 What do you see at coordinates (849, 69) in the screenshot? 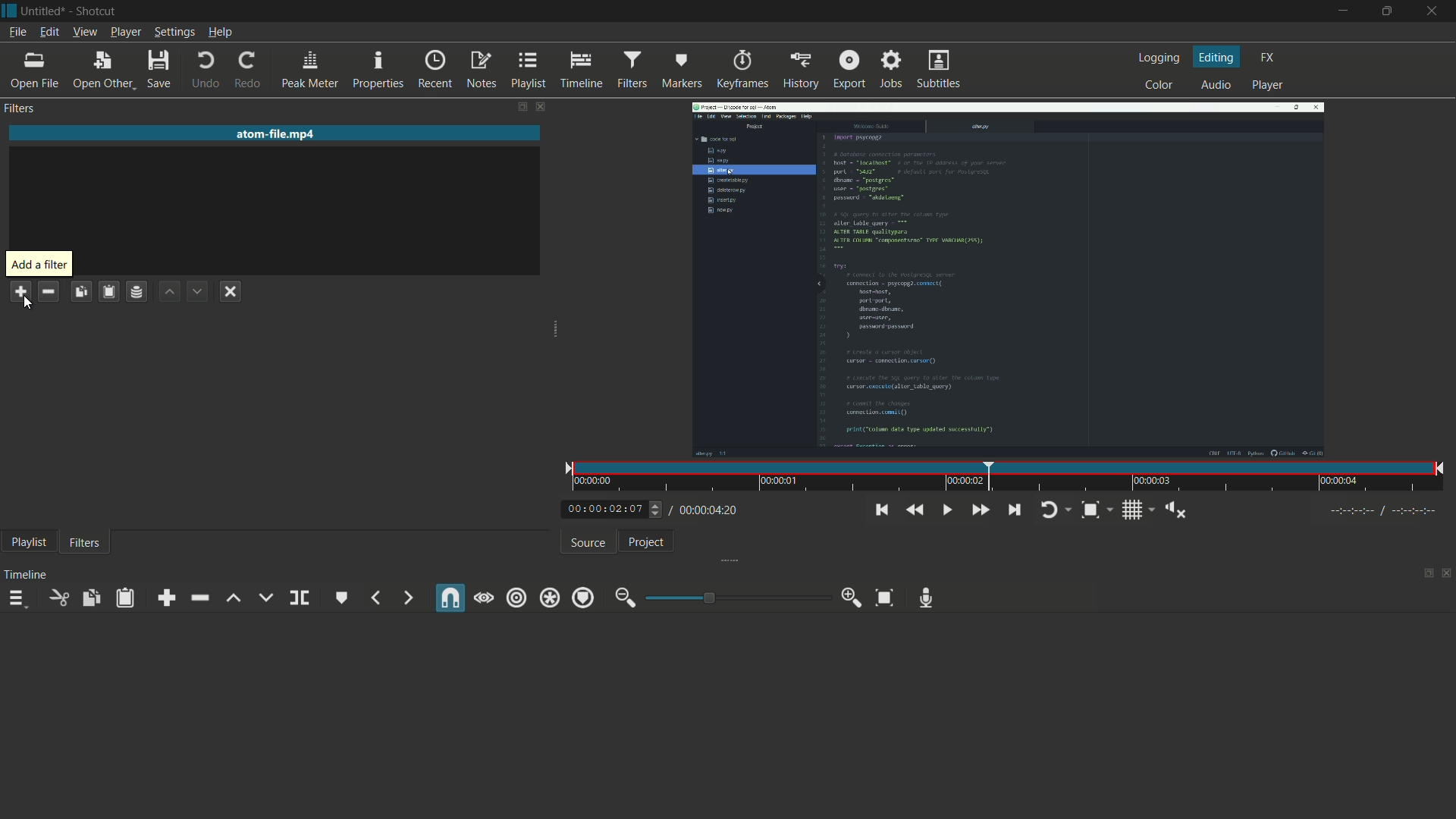
I see `export` at bounding box center [849, 69].